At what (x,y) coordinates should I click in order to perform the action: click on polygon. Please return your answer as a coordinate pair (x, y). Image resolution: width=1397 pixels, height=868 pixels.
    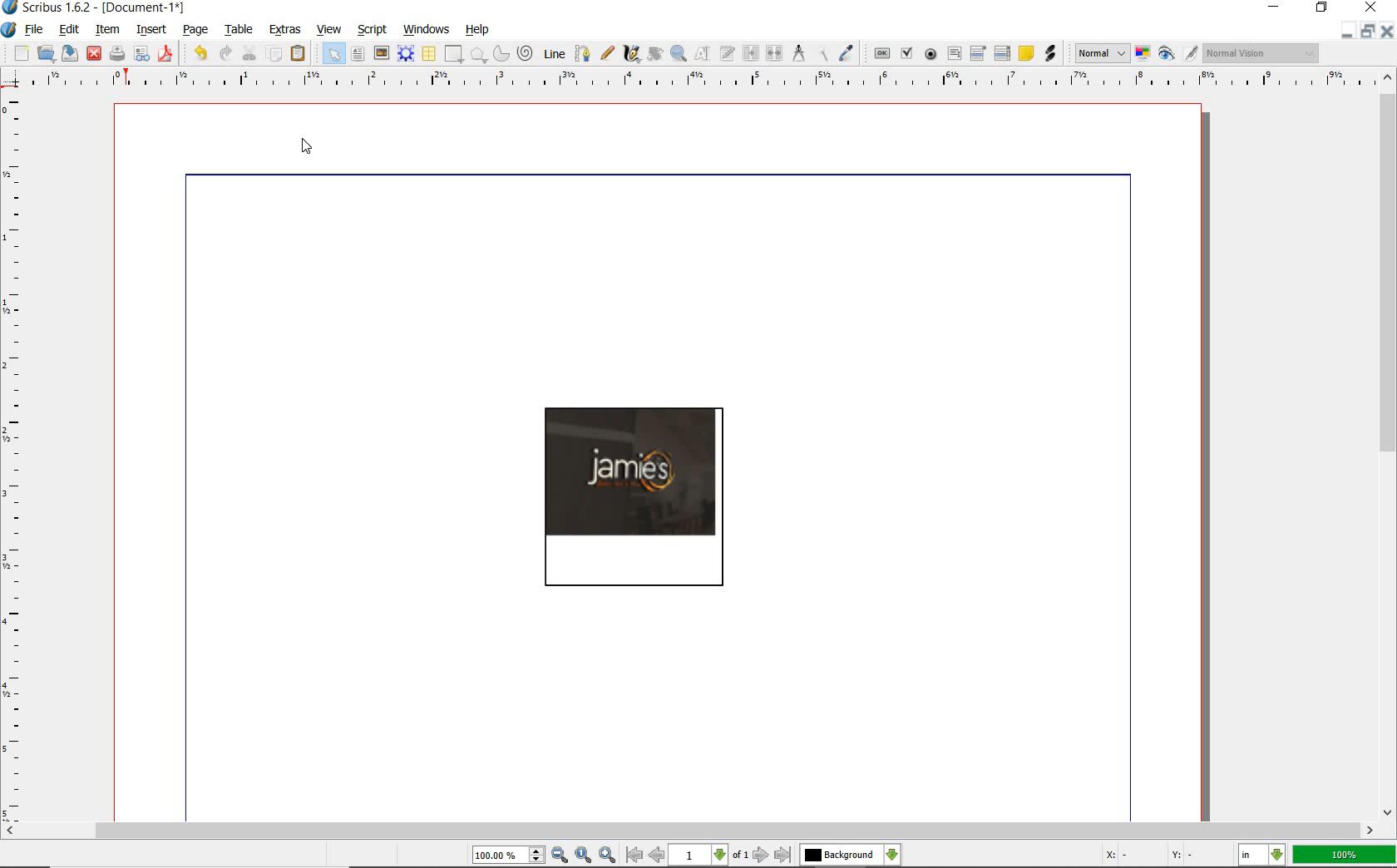
    Looking at the image, I should click on (479, 54).